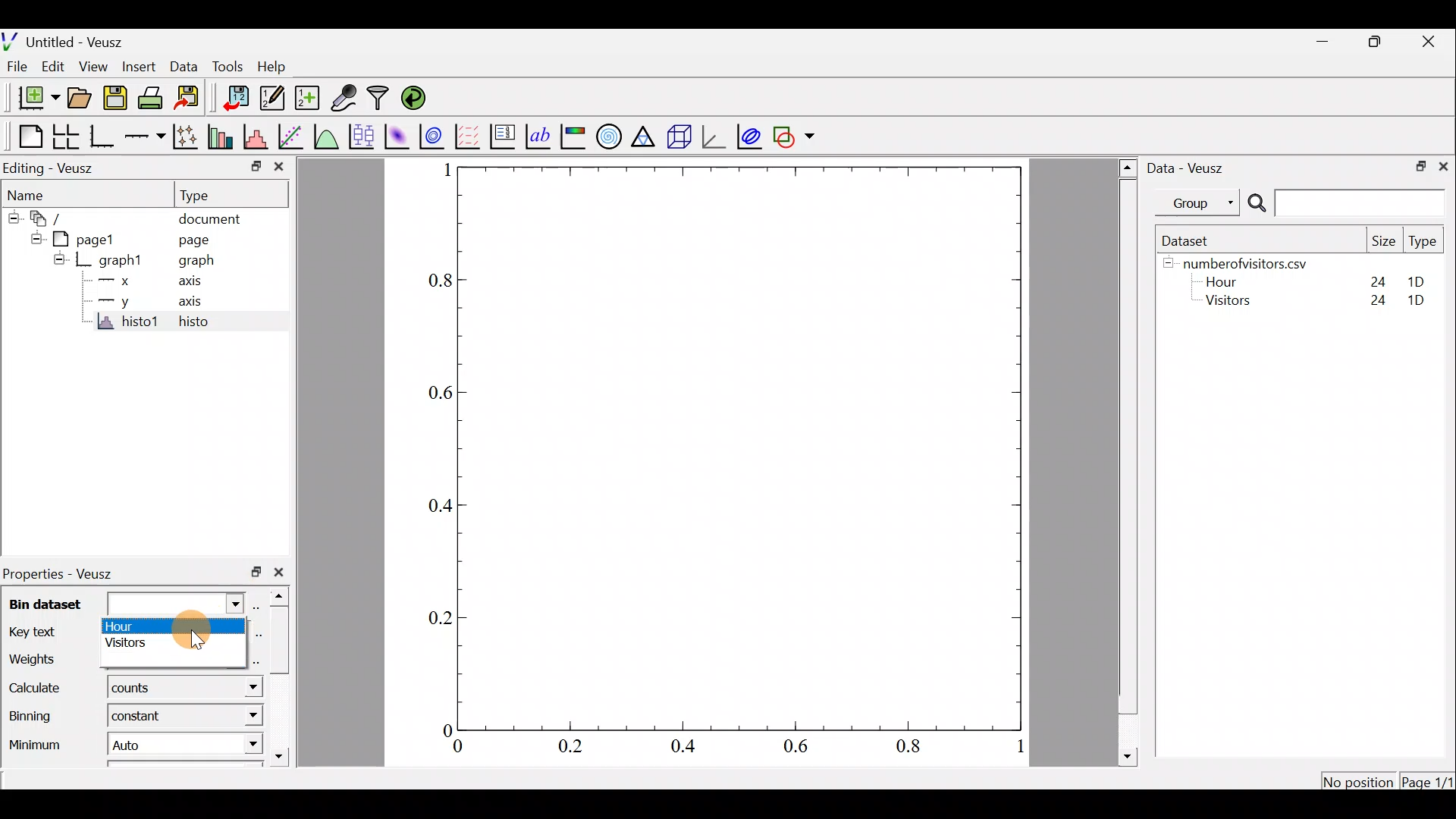 This screenshot has height=819, width=1456. I want to click on 0, so click(438, 731).